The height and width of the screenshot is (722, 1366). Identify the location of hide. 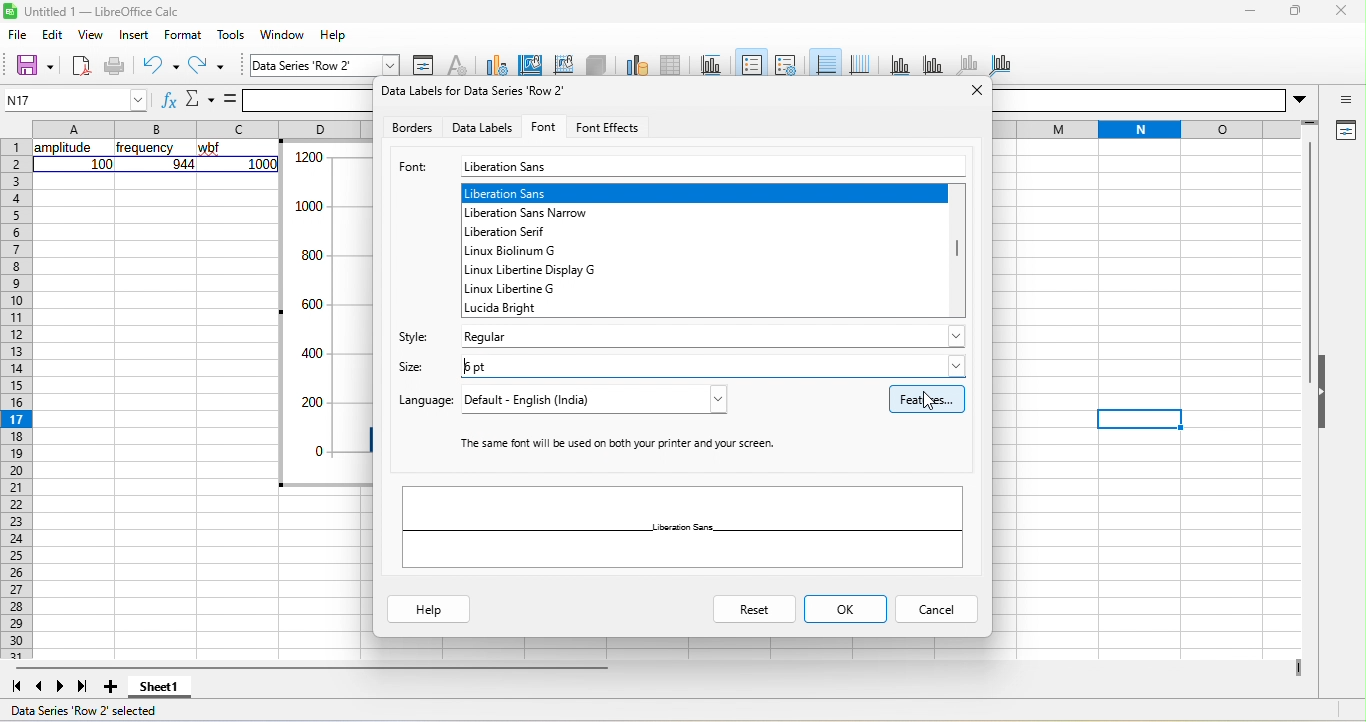
(1324, 396).